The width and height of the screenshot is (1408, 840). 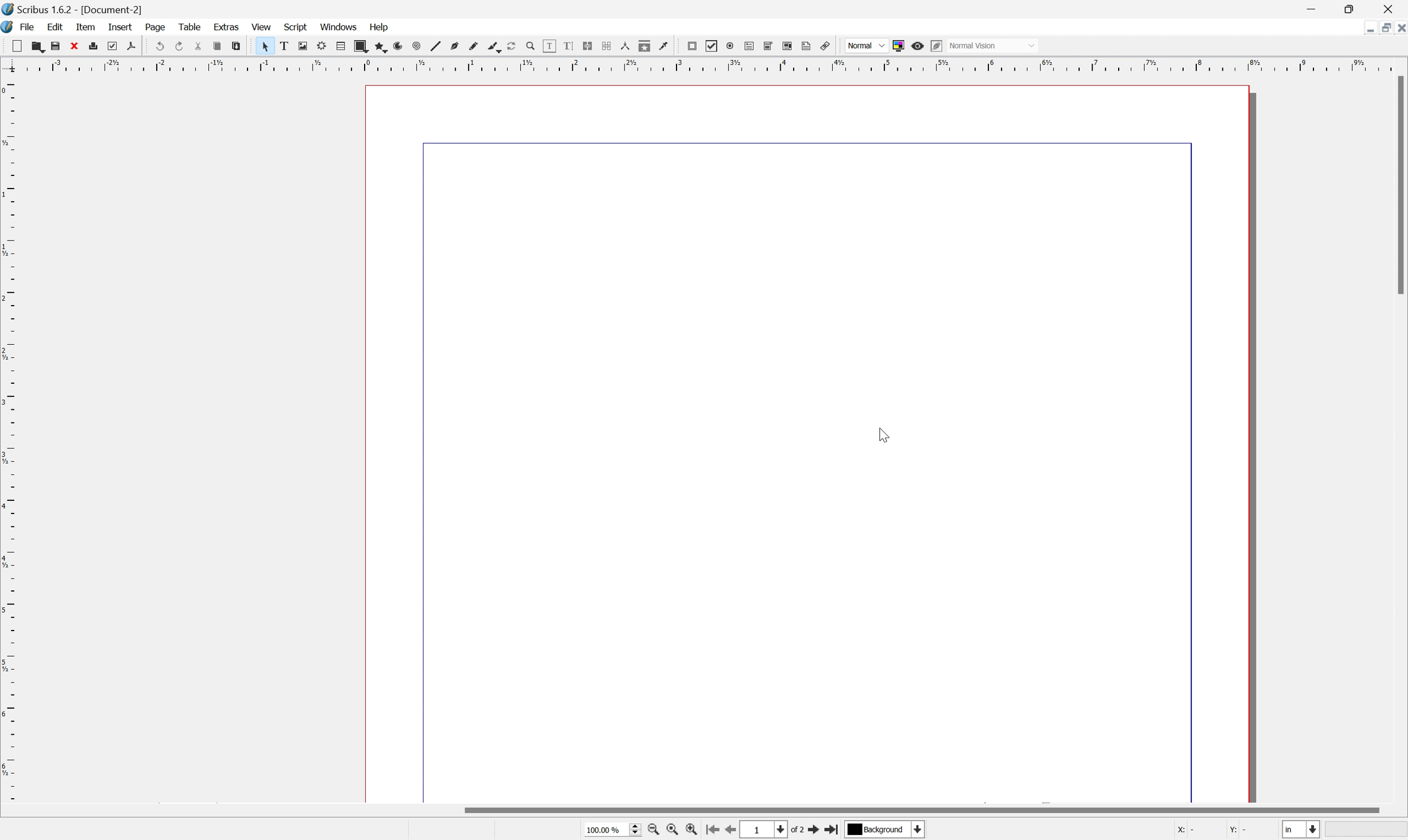 I want to click on Item, so click(x=89, y=27).